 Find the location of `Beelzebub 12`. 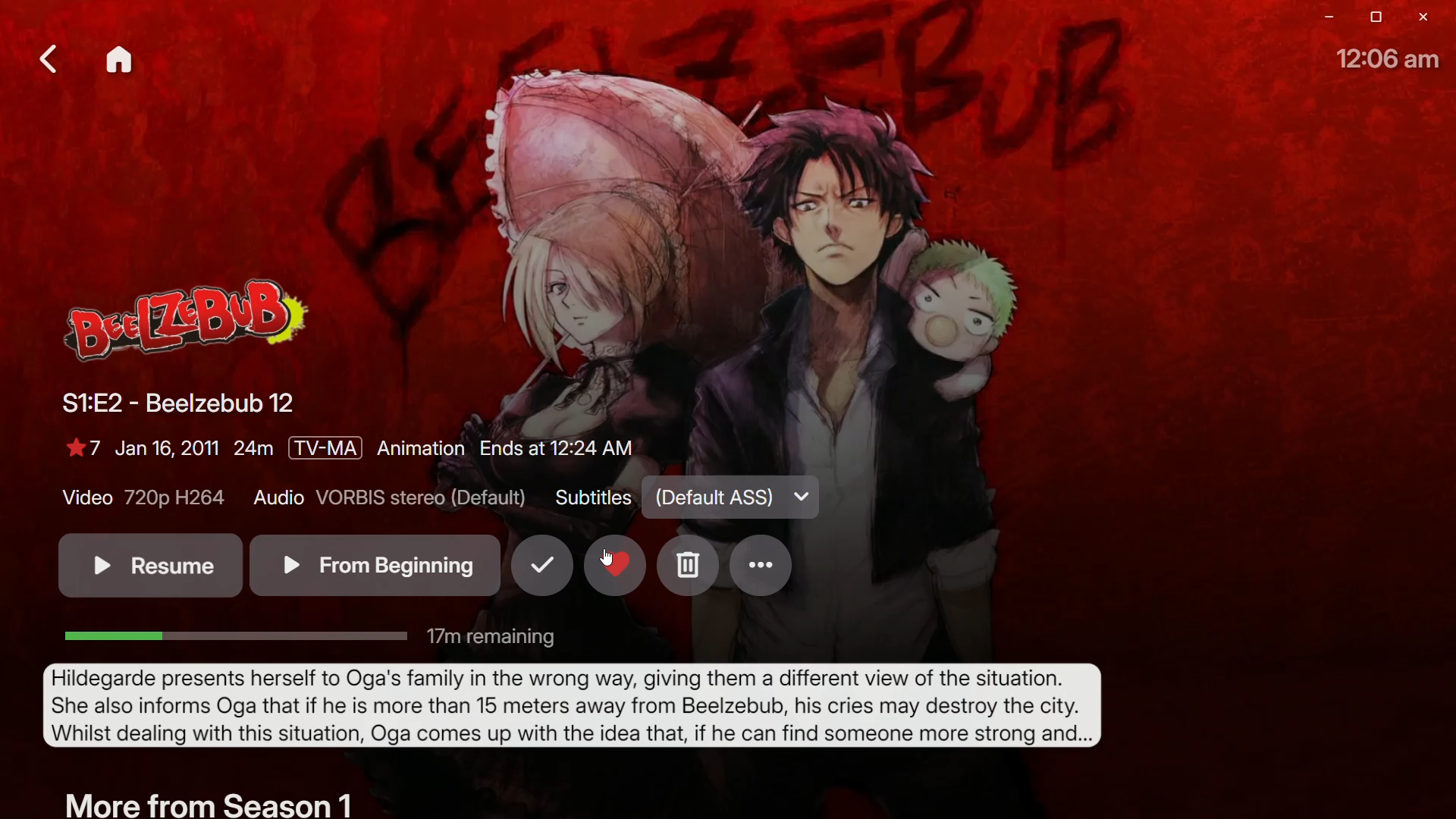

Beelzebub 12 is located at coordinates (175, 407).